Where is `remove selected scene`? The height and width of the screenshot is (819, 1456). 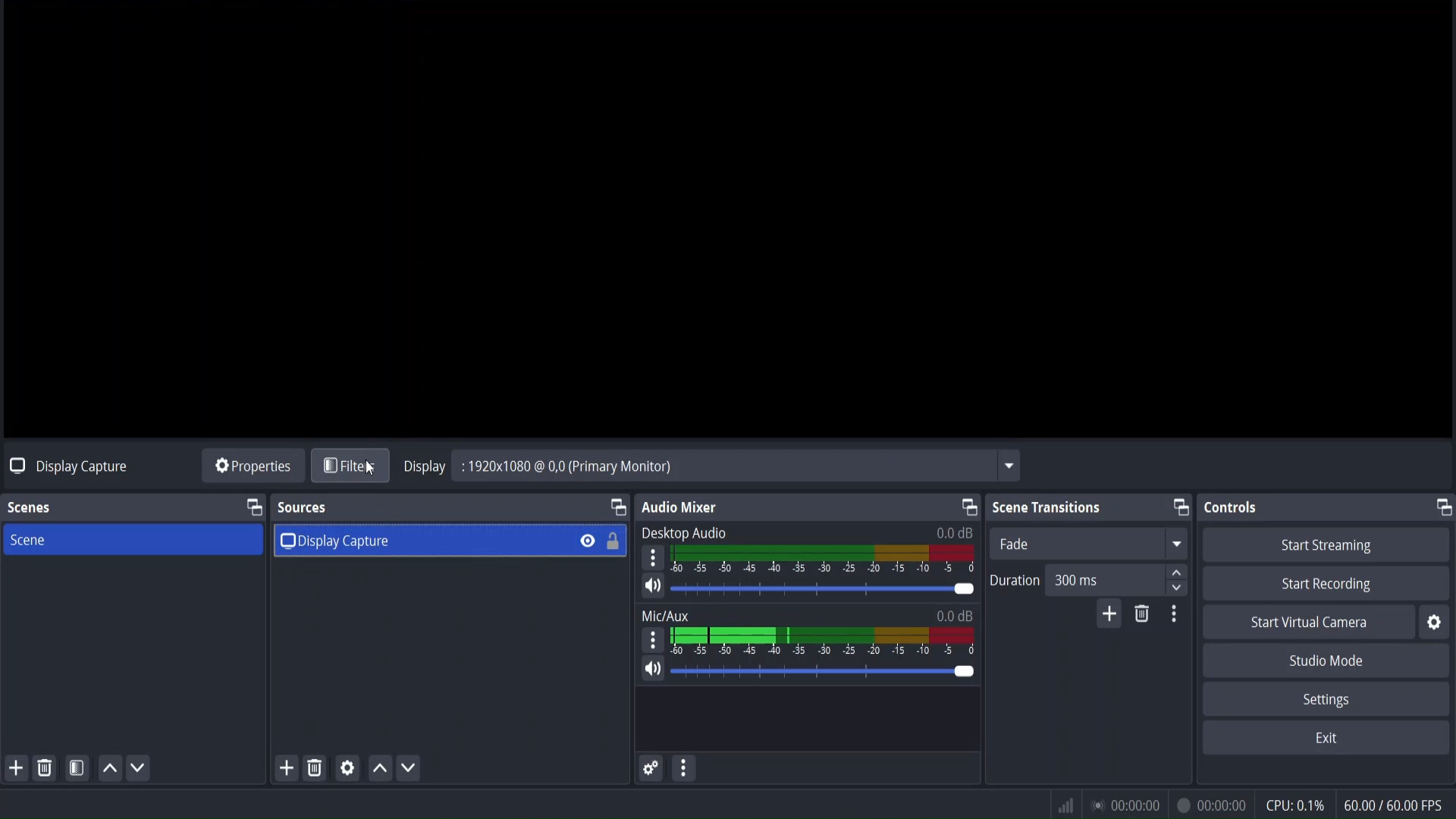
remove selected scene is located at coordinates (46, 767).